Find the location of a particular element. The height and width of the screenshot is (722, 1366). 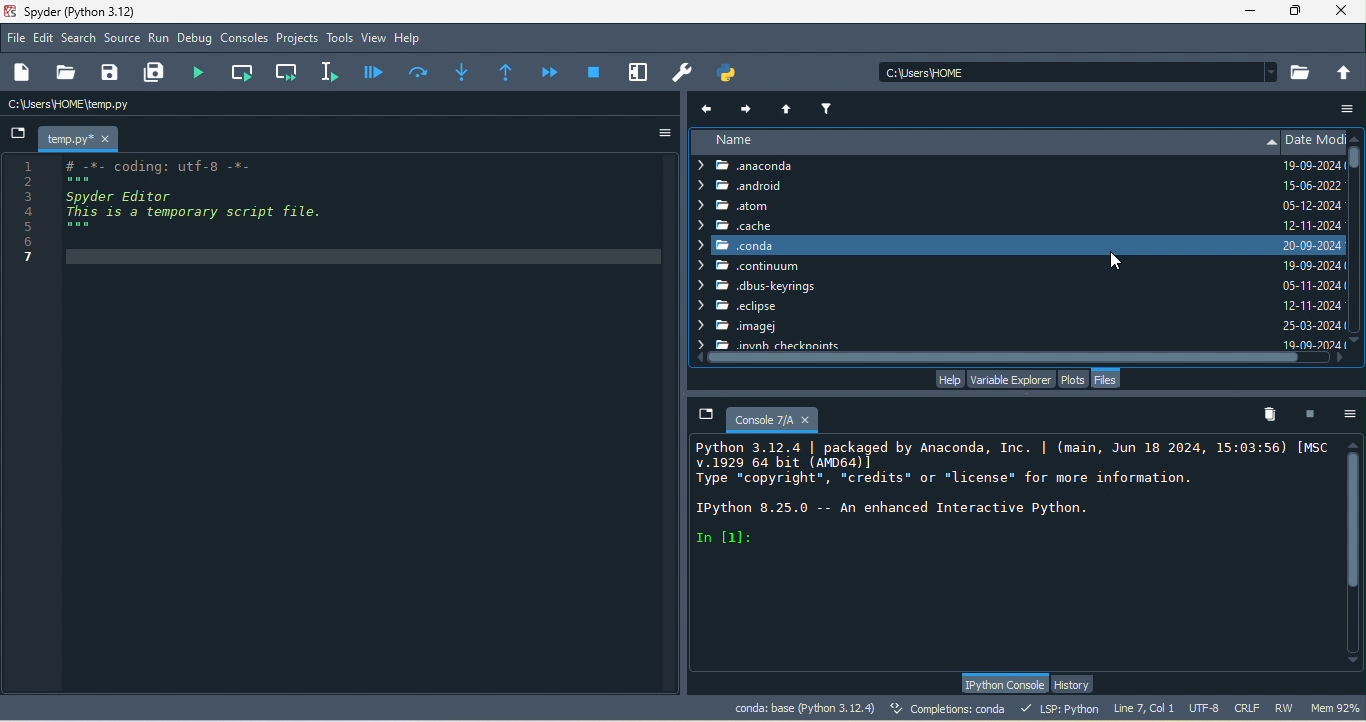

maximize current pane is located at coordinates (639, 72).